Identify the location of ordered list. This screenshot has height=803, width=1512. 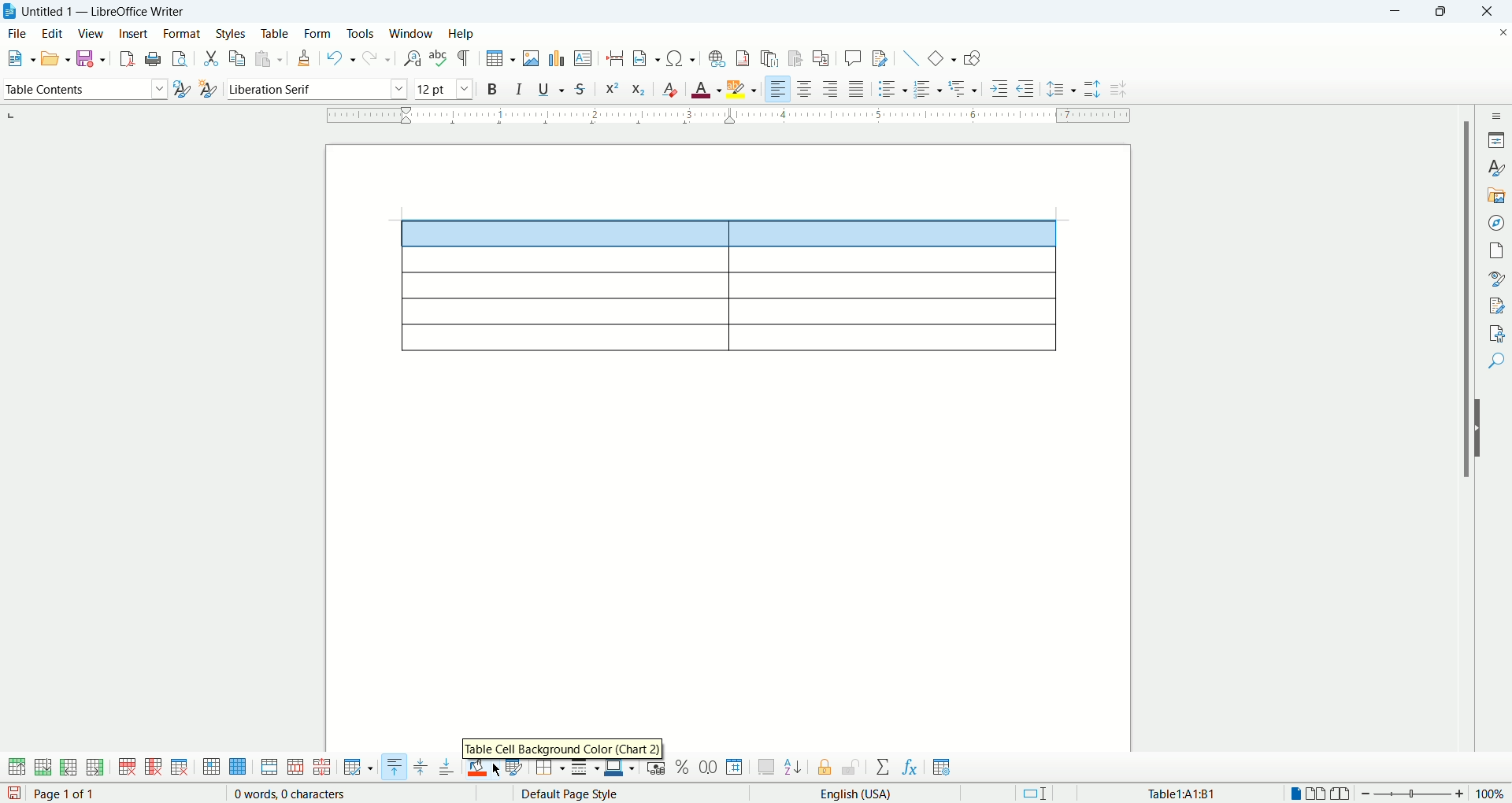
(926, 88).